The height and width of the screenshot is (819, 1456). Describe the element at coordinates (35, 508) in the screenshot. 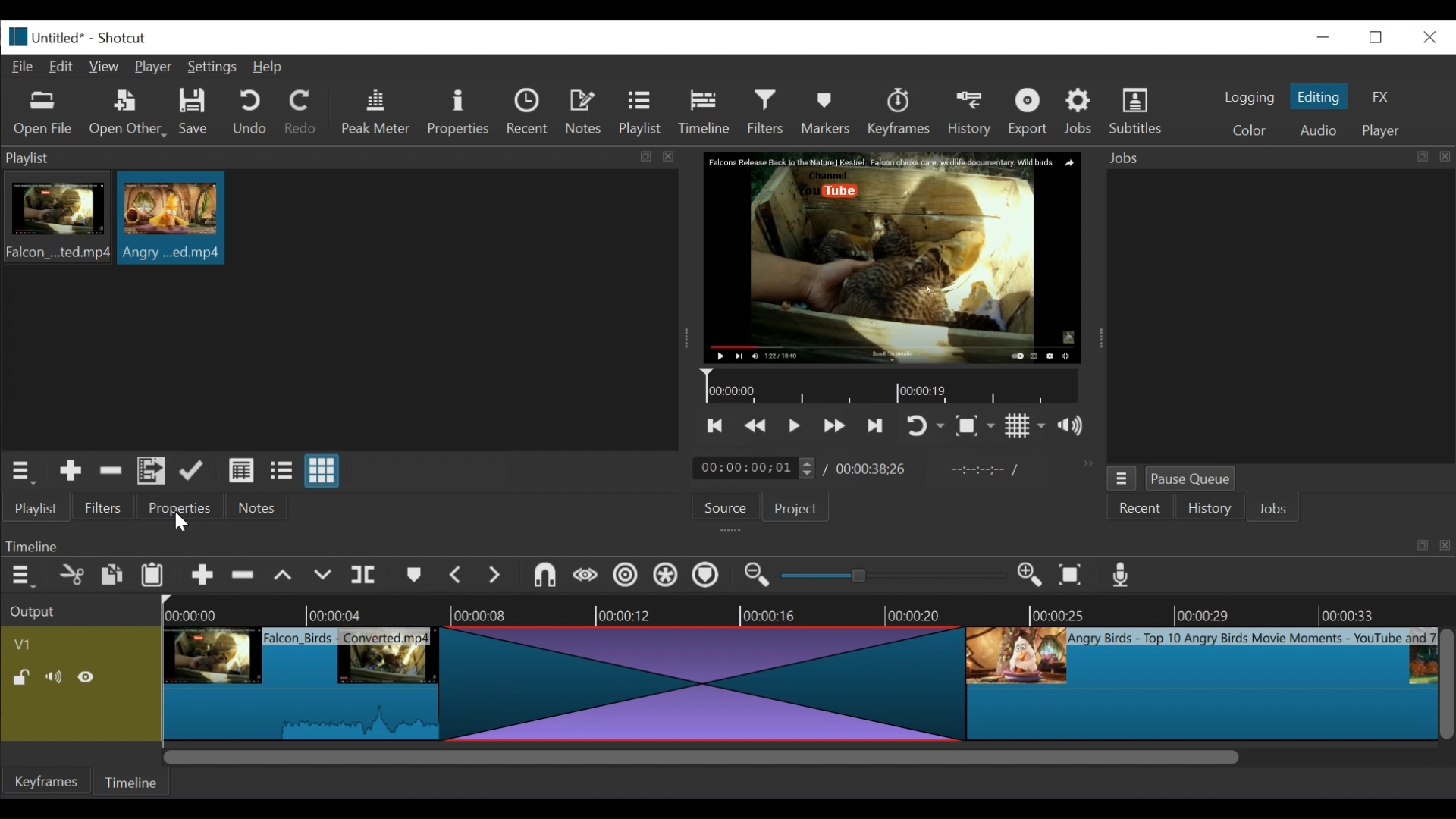

I see `playlist` at that location.